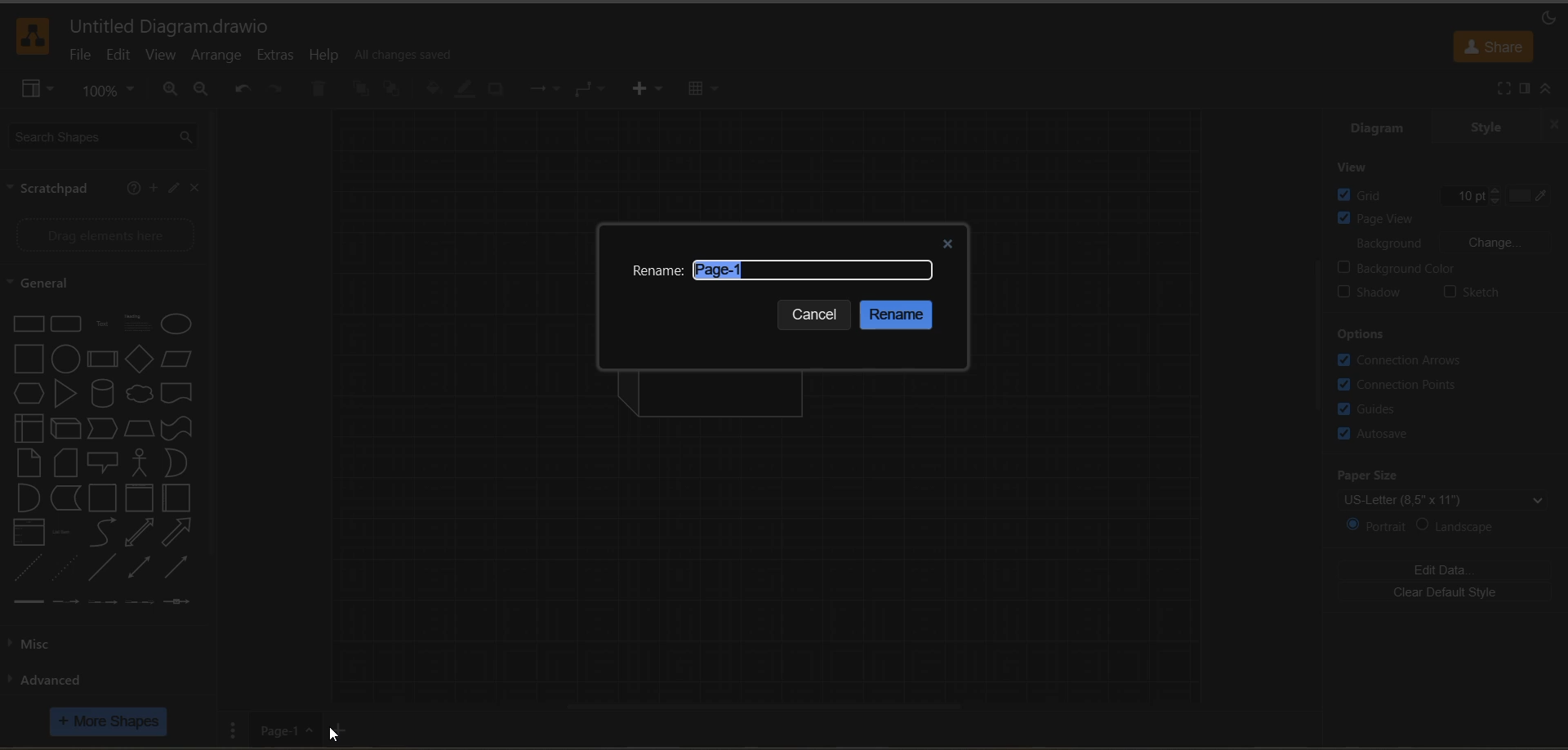  I want to click on more shapes, so click(109, 721).